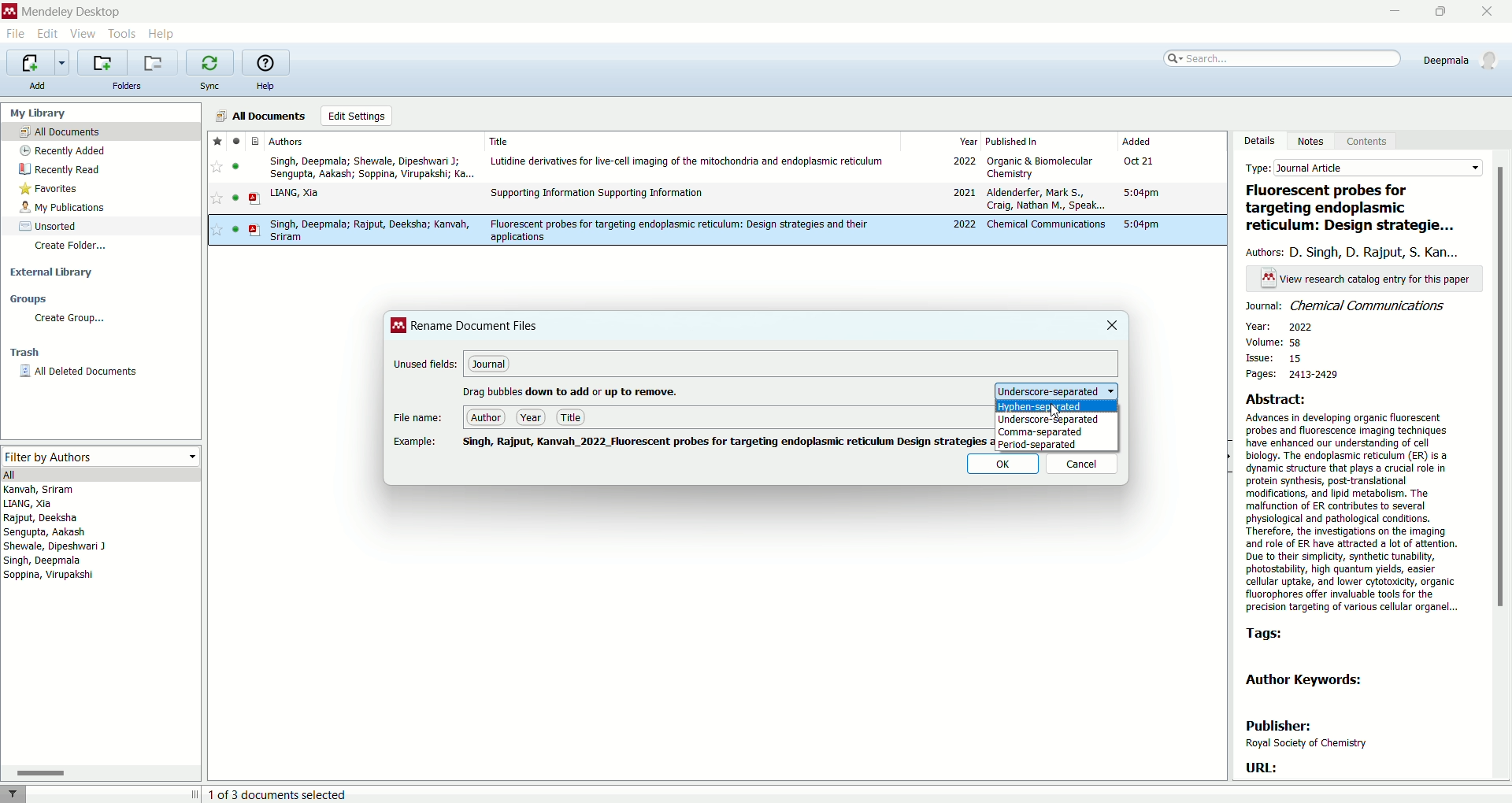  I want to click on favorite, so click(217, 140).